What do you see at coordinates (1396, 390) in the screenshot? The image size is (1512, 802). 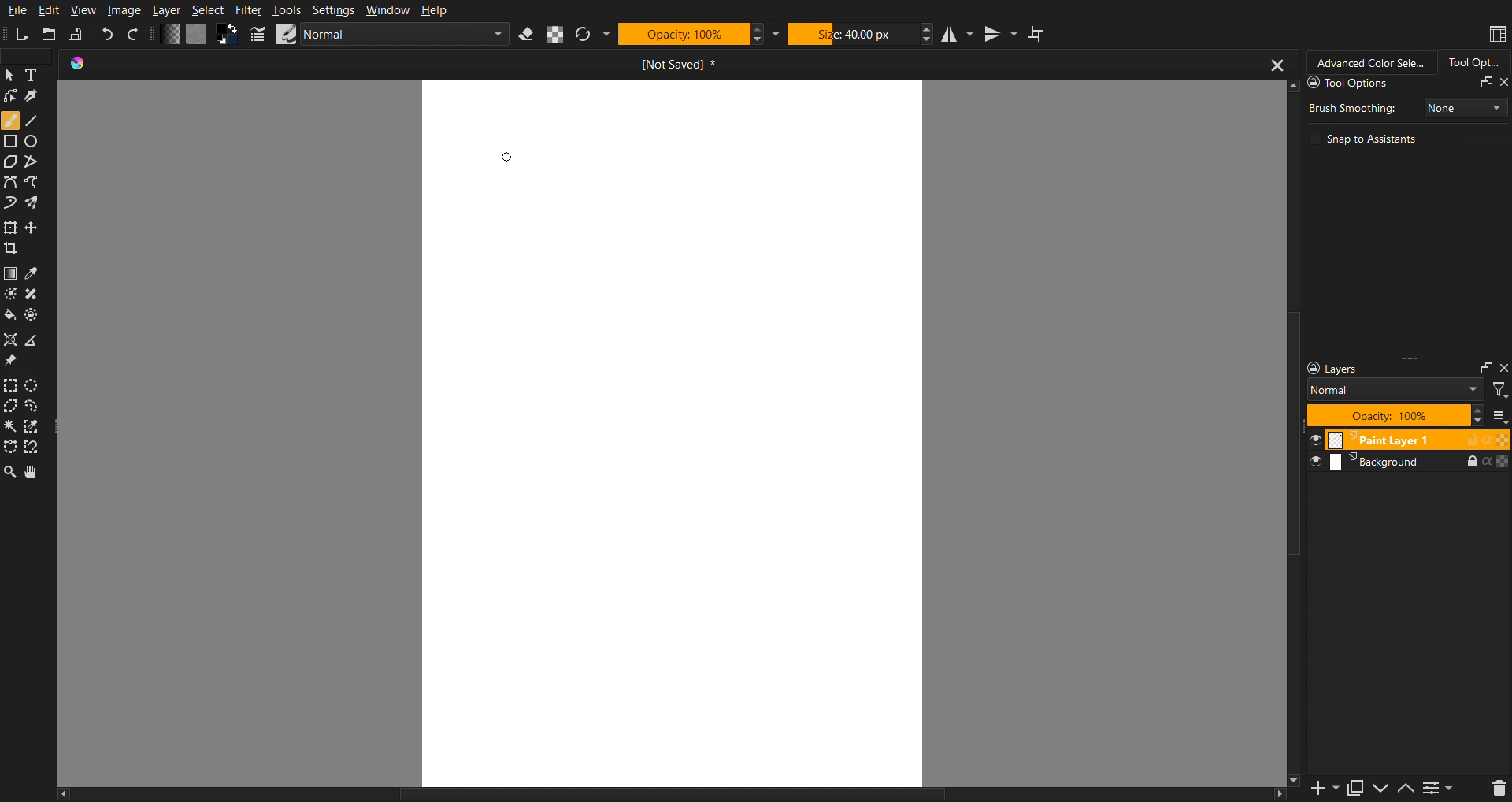 I see `Blend Mode` at bounding box center [1396, 390].